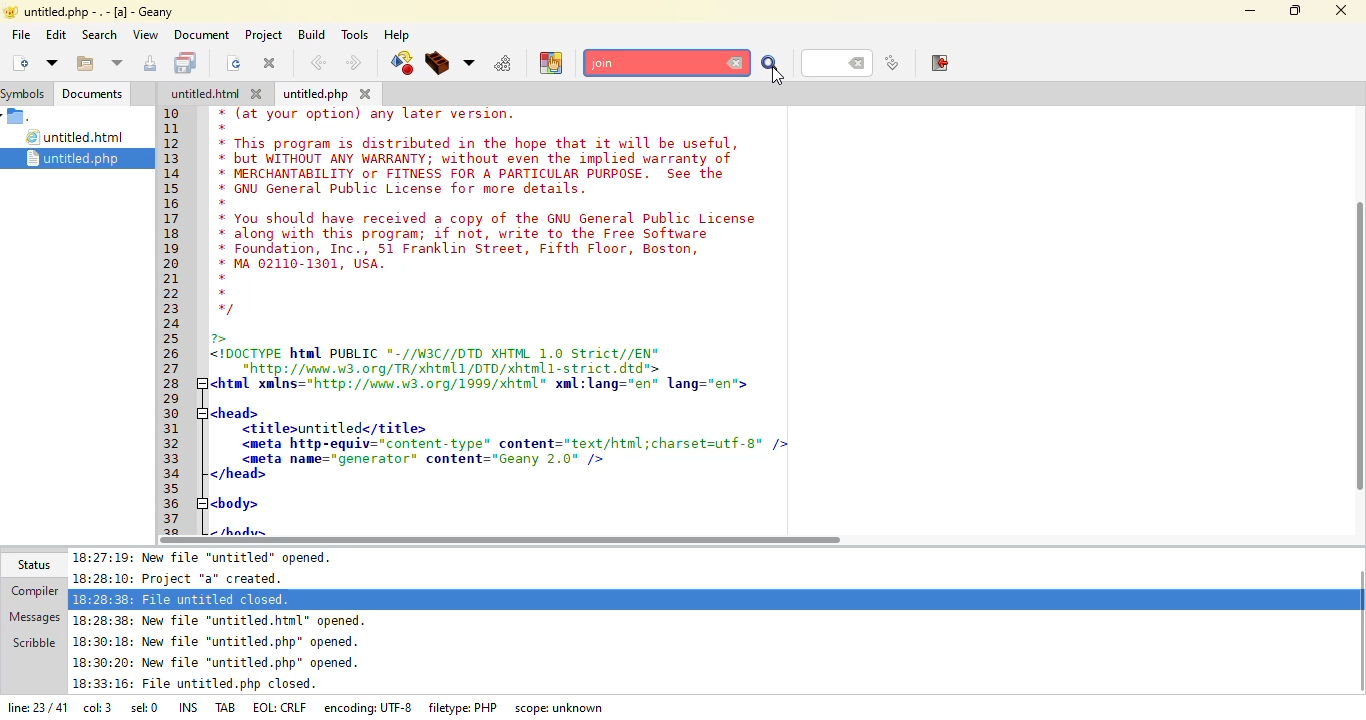  What do you see at coordinates (335, 429) in the screenshot?
I see `<title>untitled</title>` at bounding box center [335, 429].